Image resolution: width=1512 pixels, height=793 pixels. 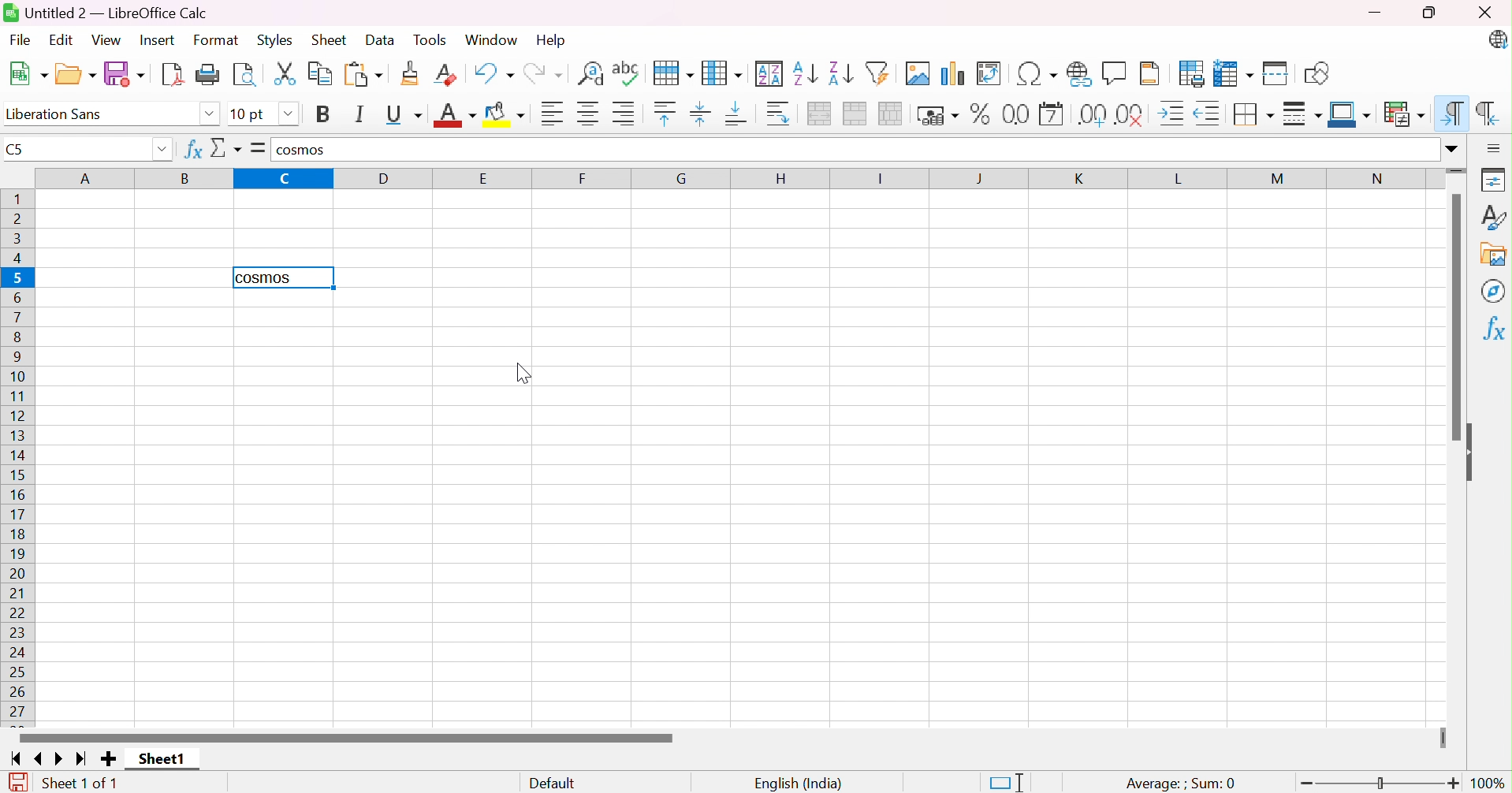 I want to click on Show Draw  Functions, so click(x=1320, y=72).